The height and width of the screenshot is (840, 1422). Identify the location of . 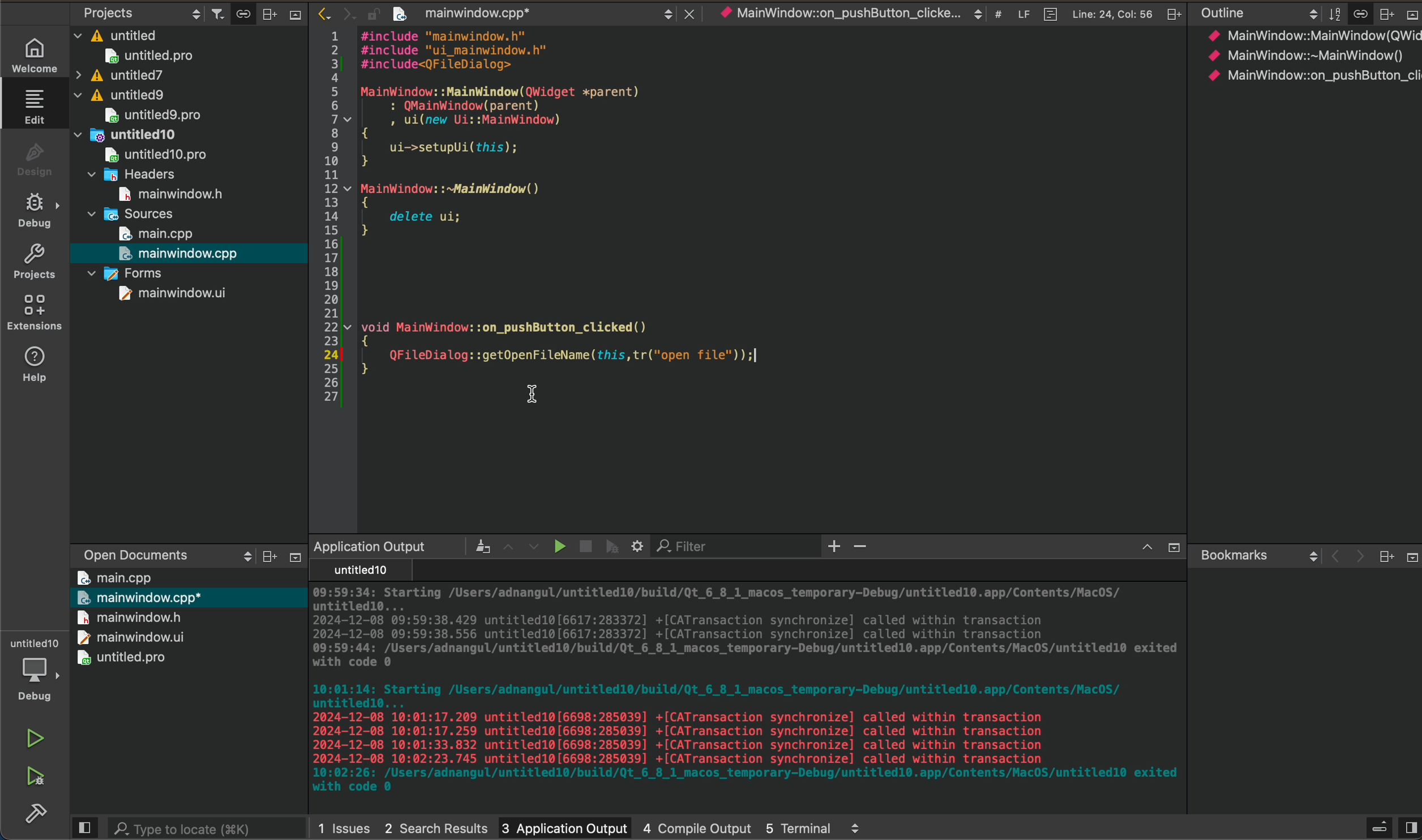
(1385, 556).